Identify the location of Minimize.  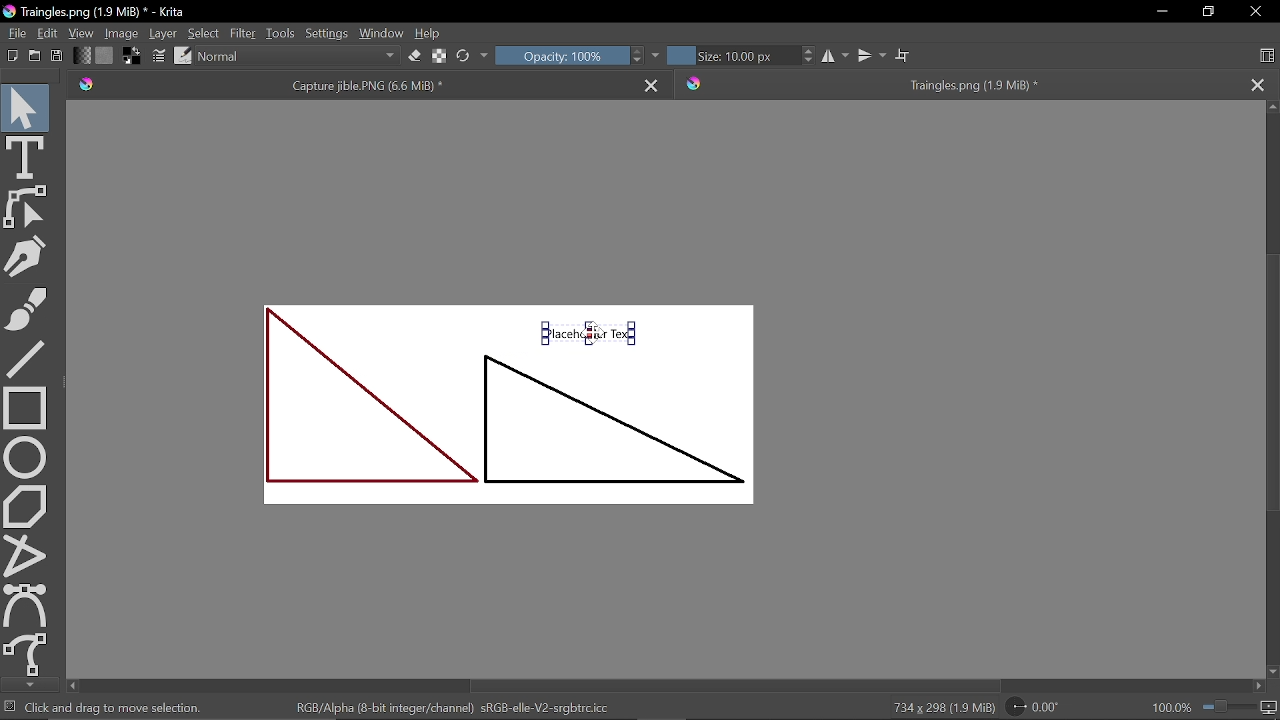
(1164, 11).